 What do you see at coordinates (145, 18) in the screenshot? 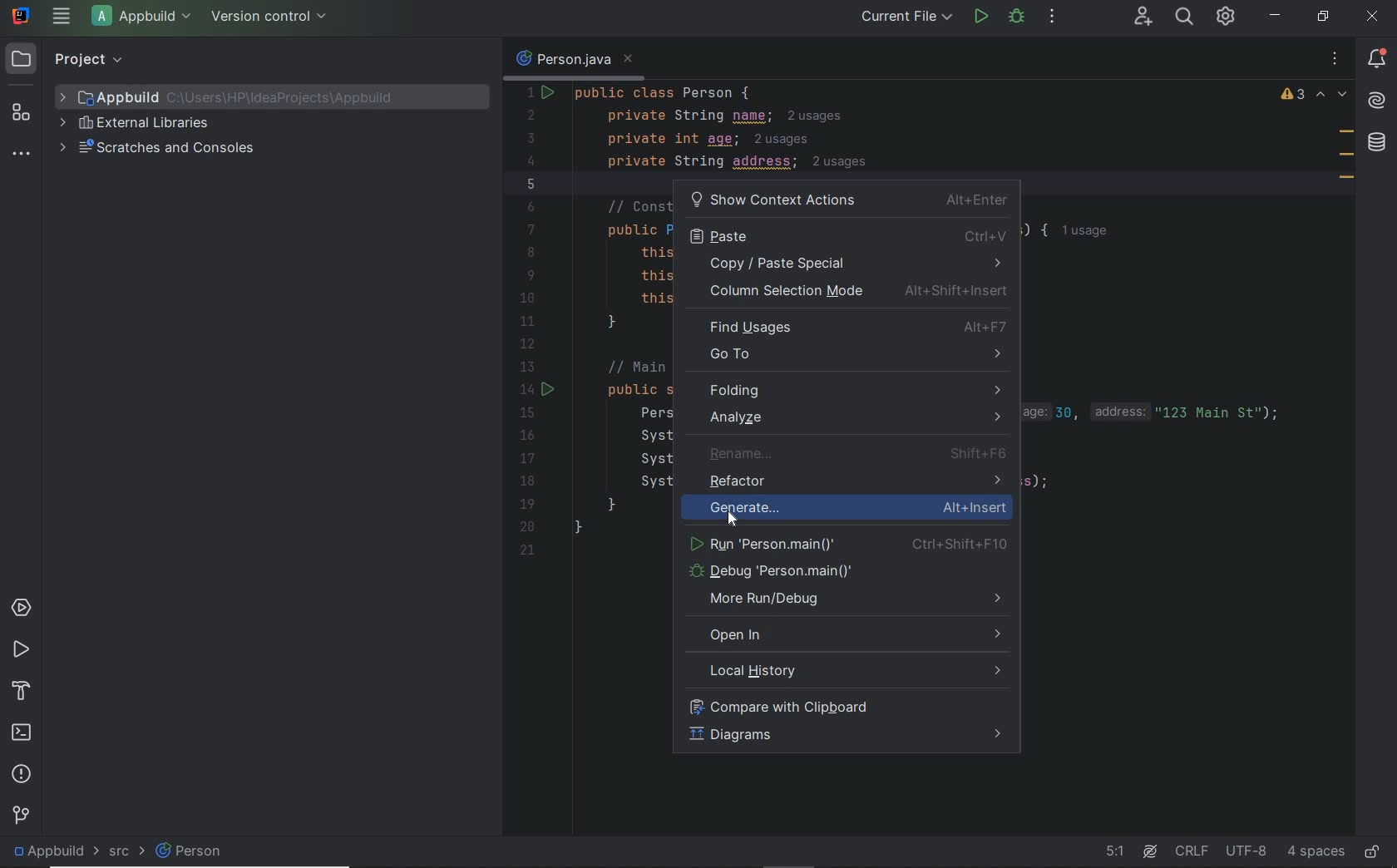
I see `project file name` at bounding box center [145, 18].